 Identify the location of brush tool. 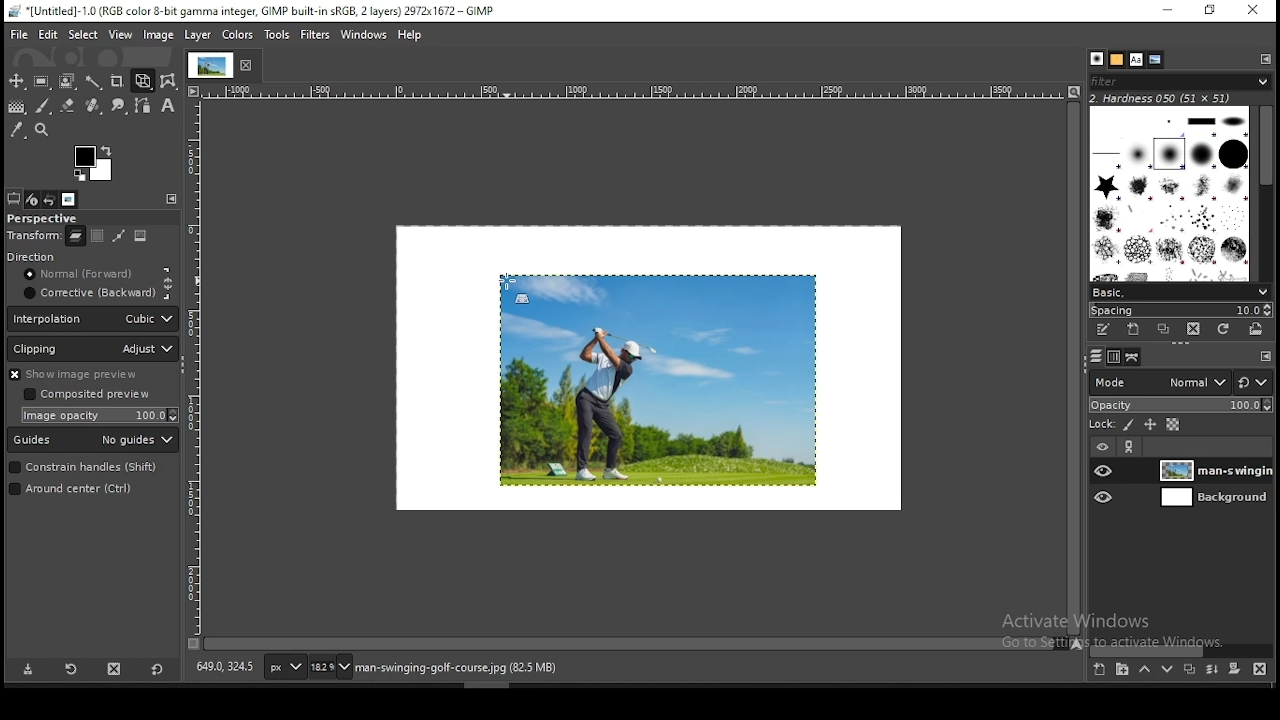
(44, 105).